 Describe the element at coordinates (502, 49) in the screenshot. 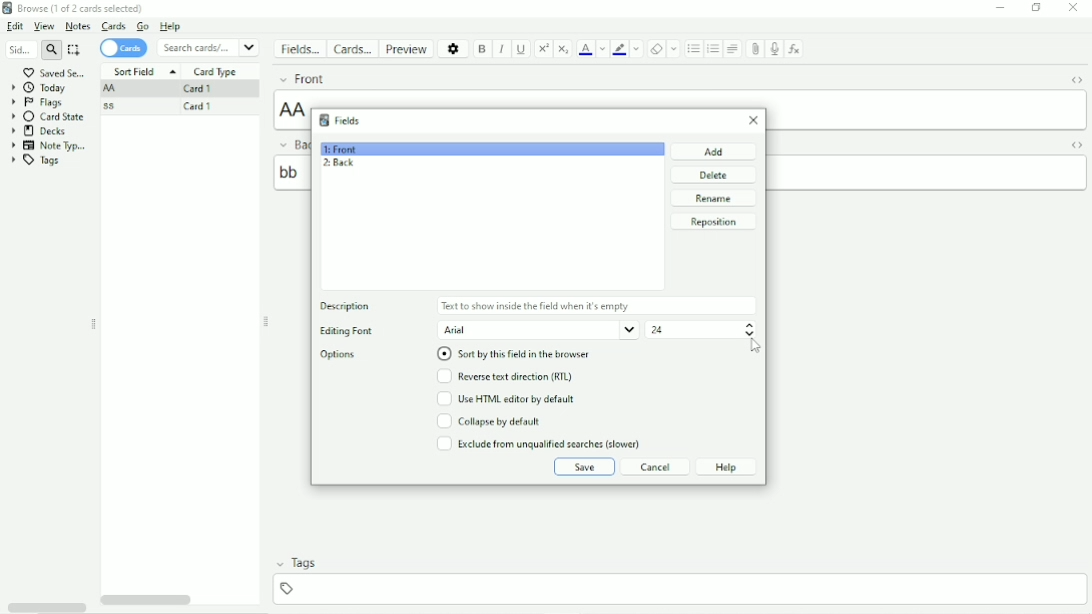

I see `Italic` at that location.